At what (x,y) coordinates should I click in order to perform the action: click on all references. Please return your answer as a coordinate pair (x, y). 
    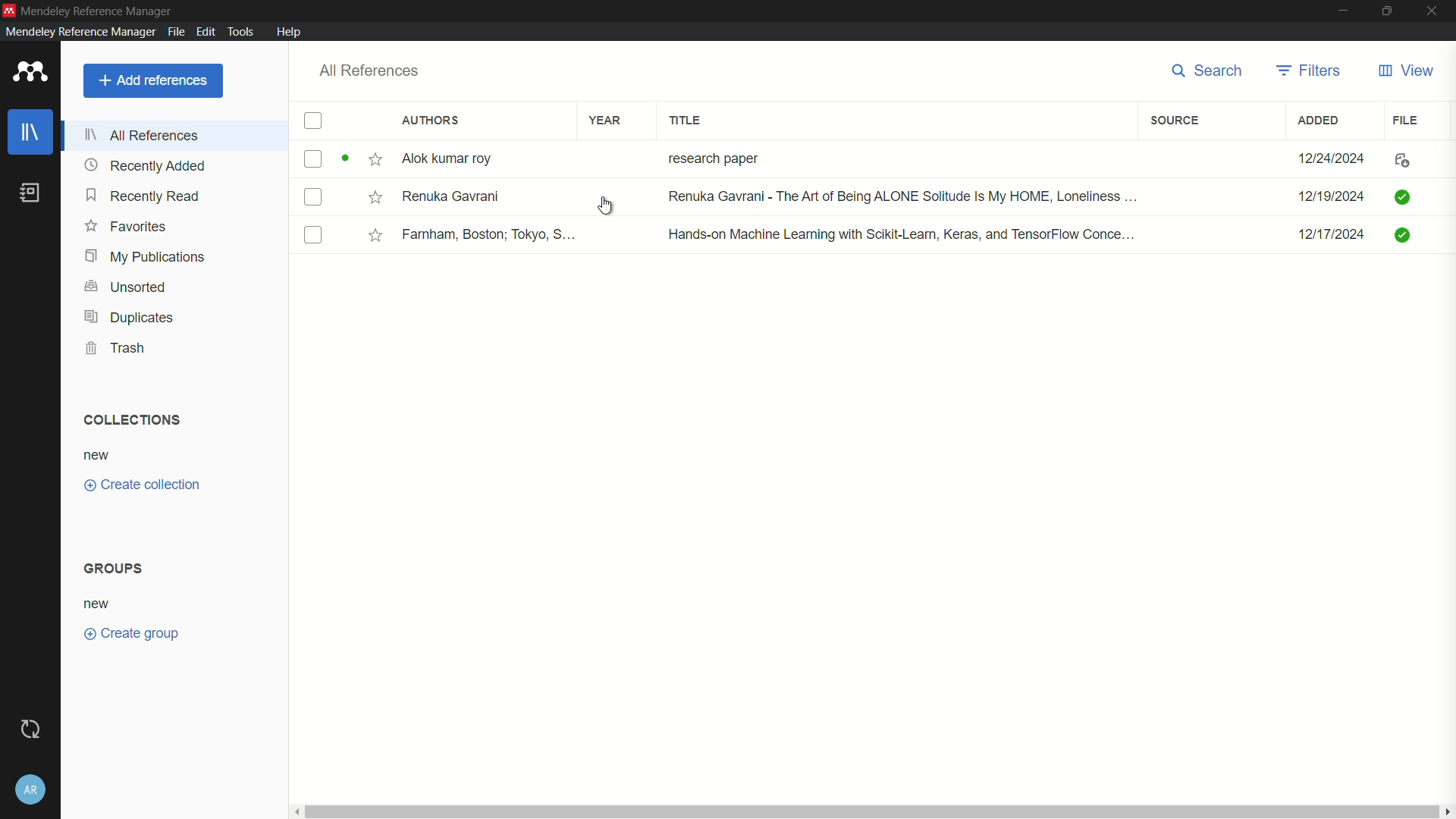
    Looking at the image, I should click on (143, 135).